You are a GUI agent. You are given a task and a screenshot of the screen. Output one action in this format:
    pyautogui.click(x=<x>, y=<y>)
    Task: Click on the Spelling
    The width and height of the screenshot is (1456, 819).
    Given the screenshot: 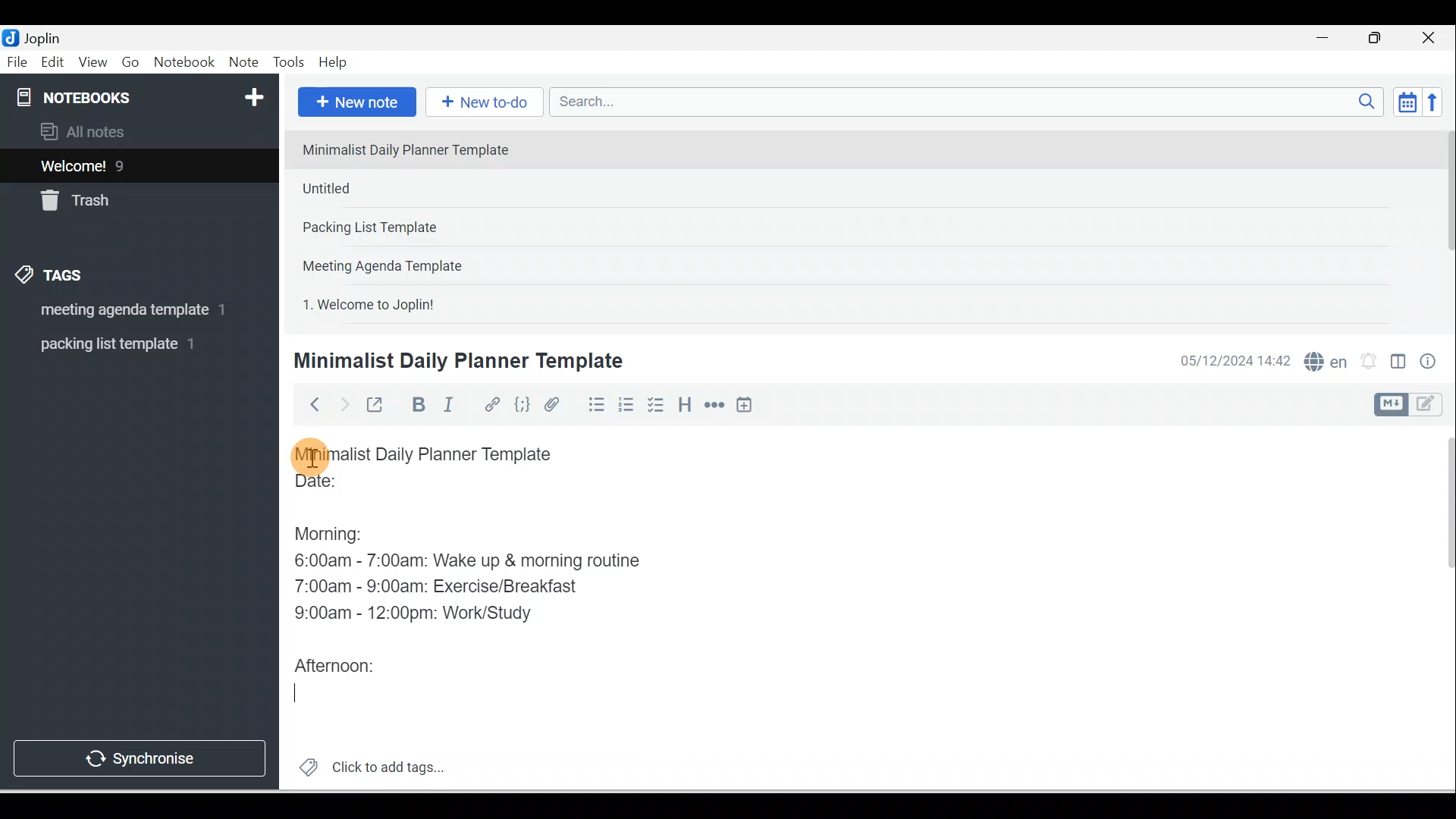 What is the action you would take?
    pyautogui.click(x=1323, y=359)
    